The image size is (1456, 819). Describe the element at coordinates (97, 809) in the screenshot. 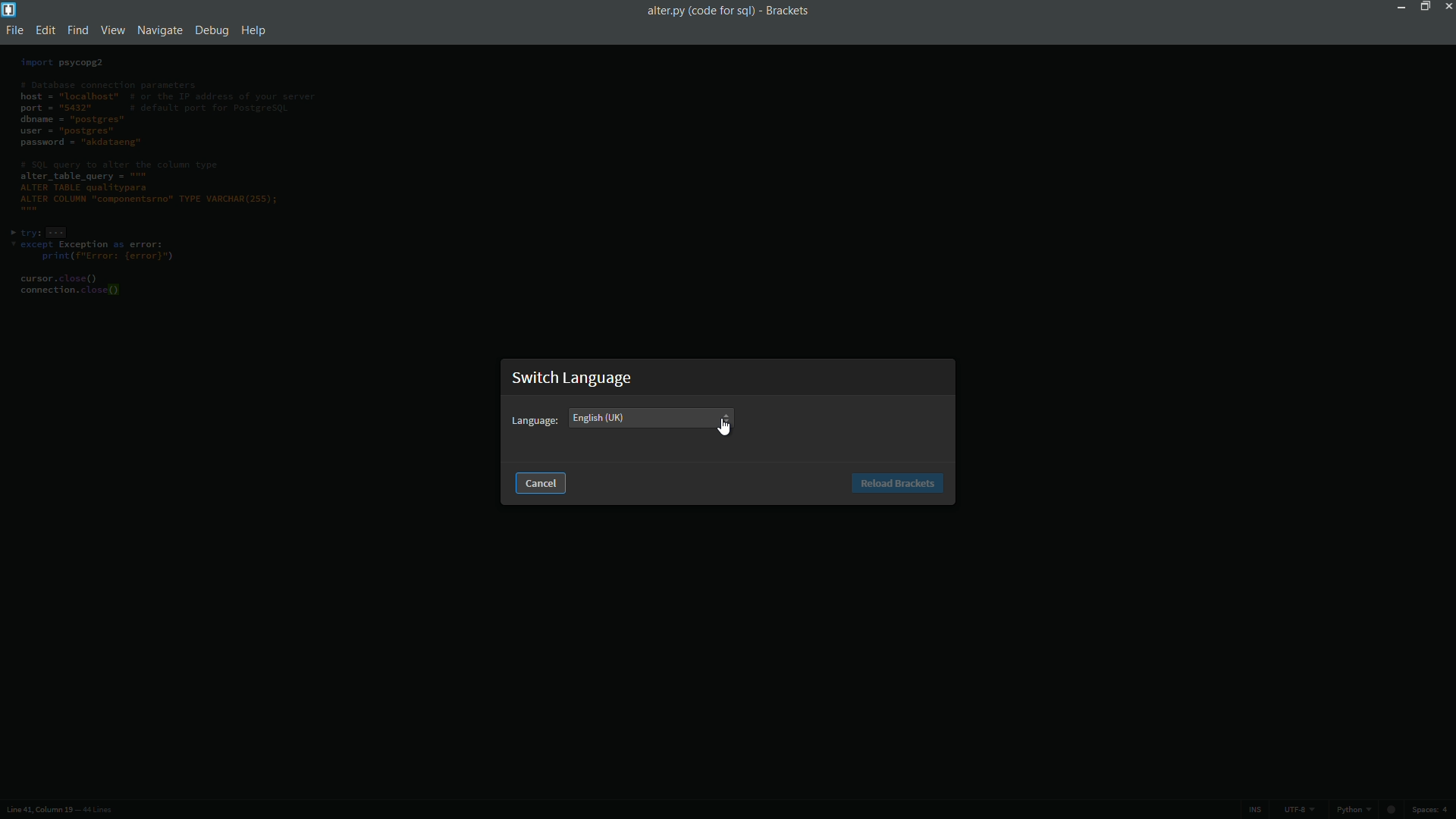

I see `number of lines` at that location.